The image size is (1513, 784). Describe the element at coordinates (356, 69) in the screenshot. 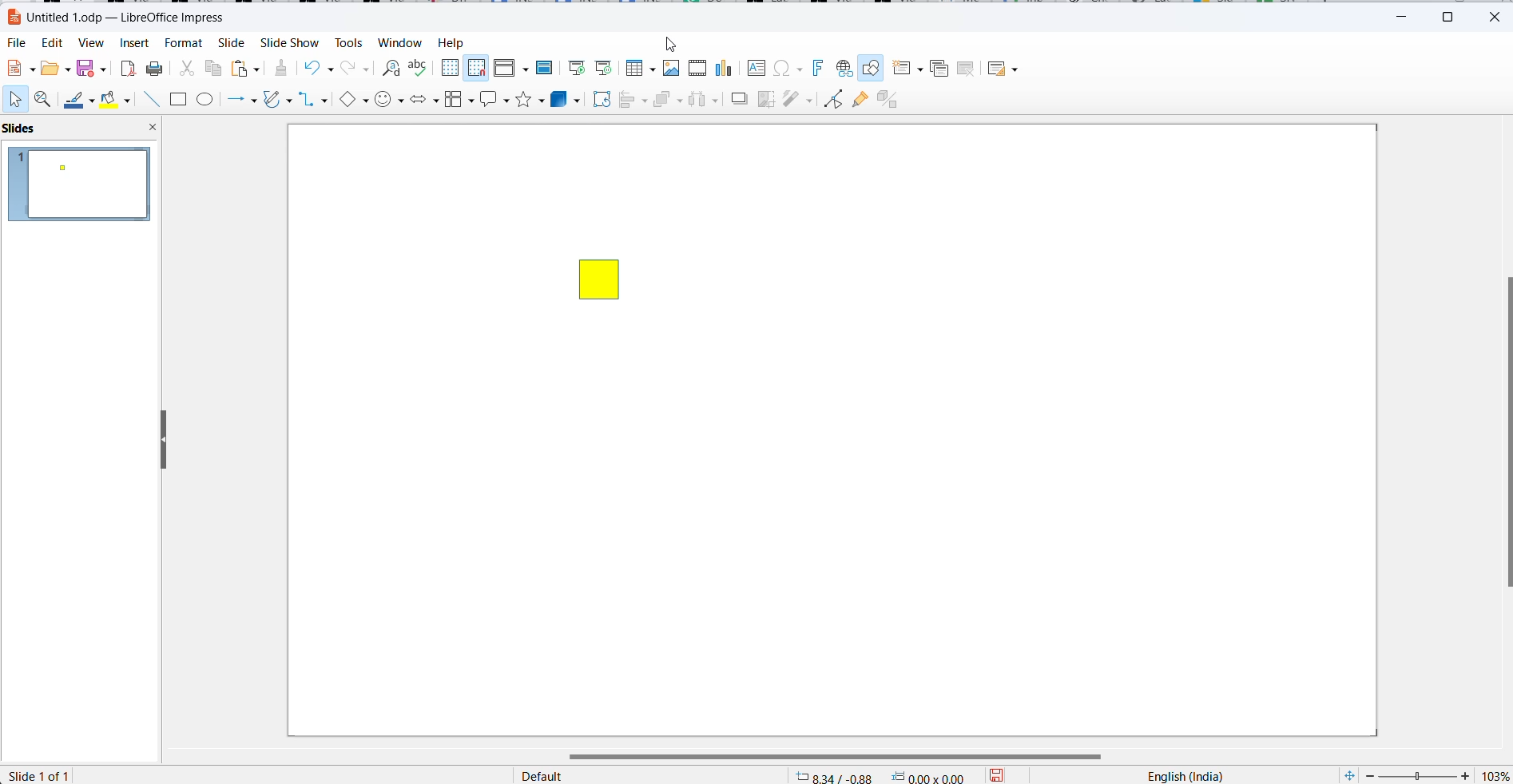

I see `redo` at that location.